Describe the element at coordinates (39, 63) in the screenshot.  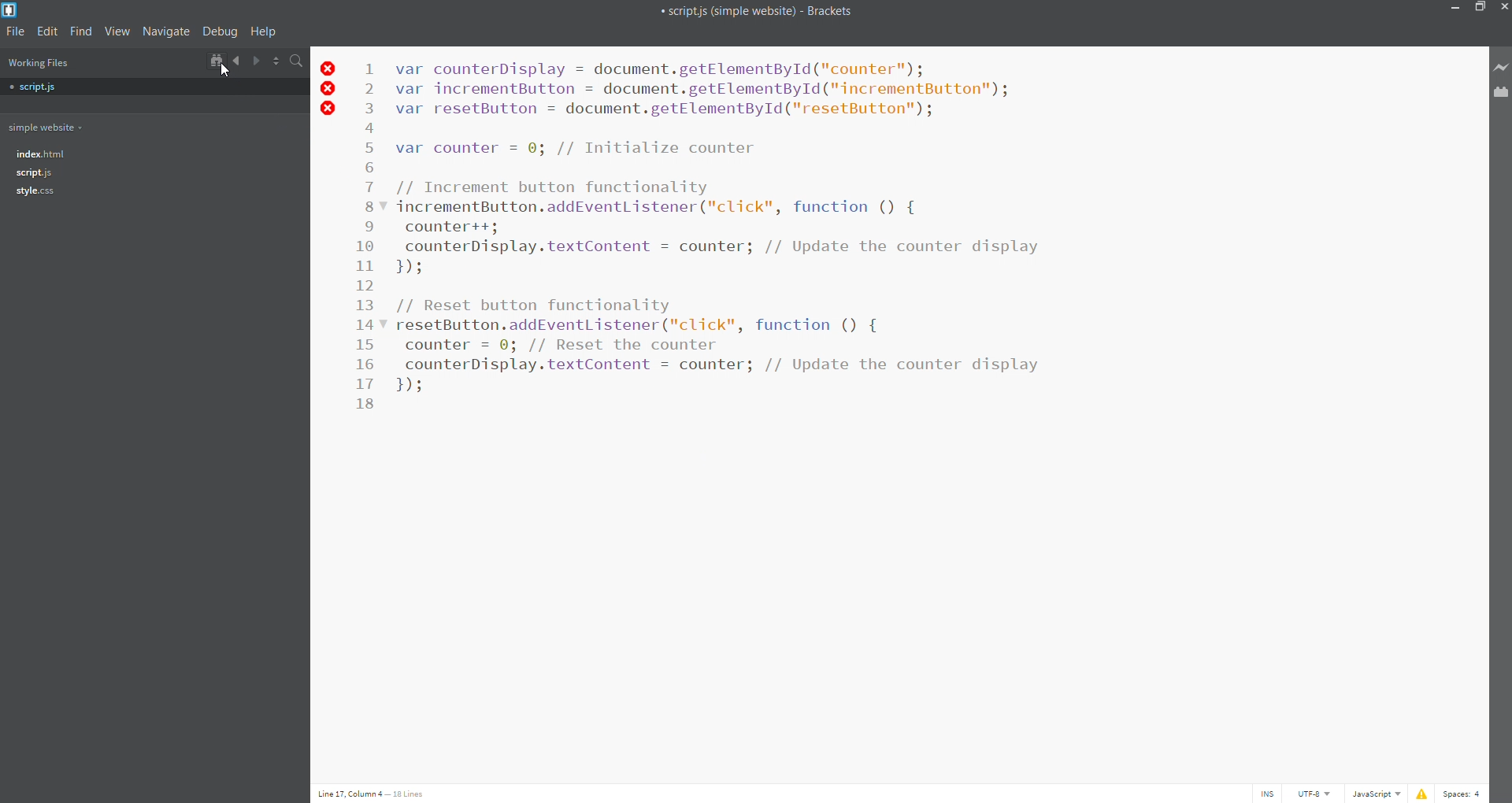
I see `working files` at that location.